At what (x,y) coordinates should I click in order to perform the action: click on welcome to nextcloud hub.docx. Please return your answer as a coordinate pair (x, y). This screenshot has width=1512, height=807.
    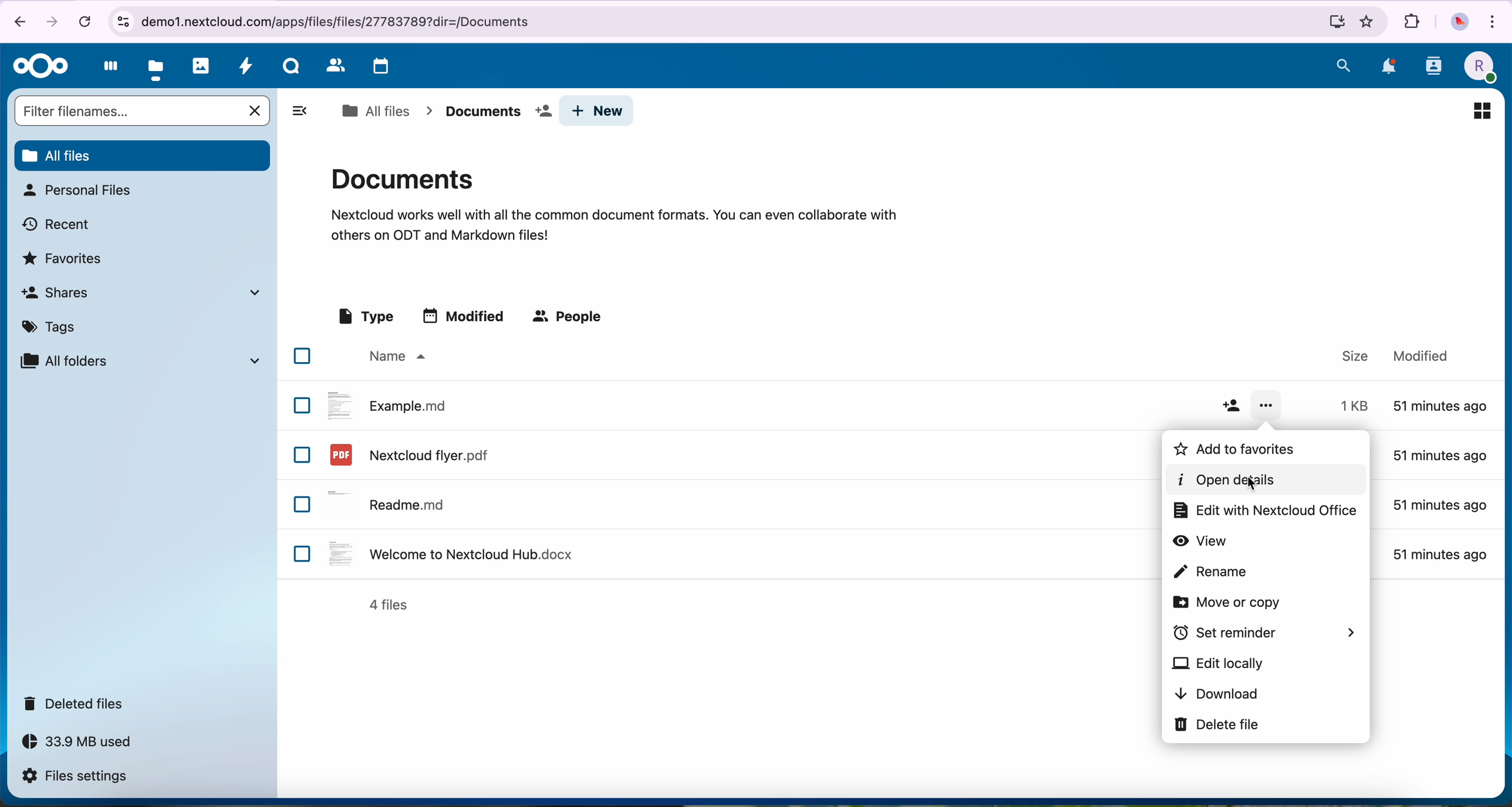
    Looking at the image, I should click on (448, 553).